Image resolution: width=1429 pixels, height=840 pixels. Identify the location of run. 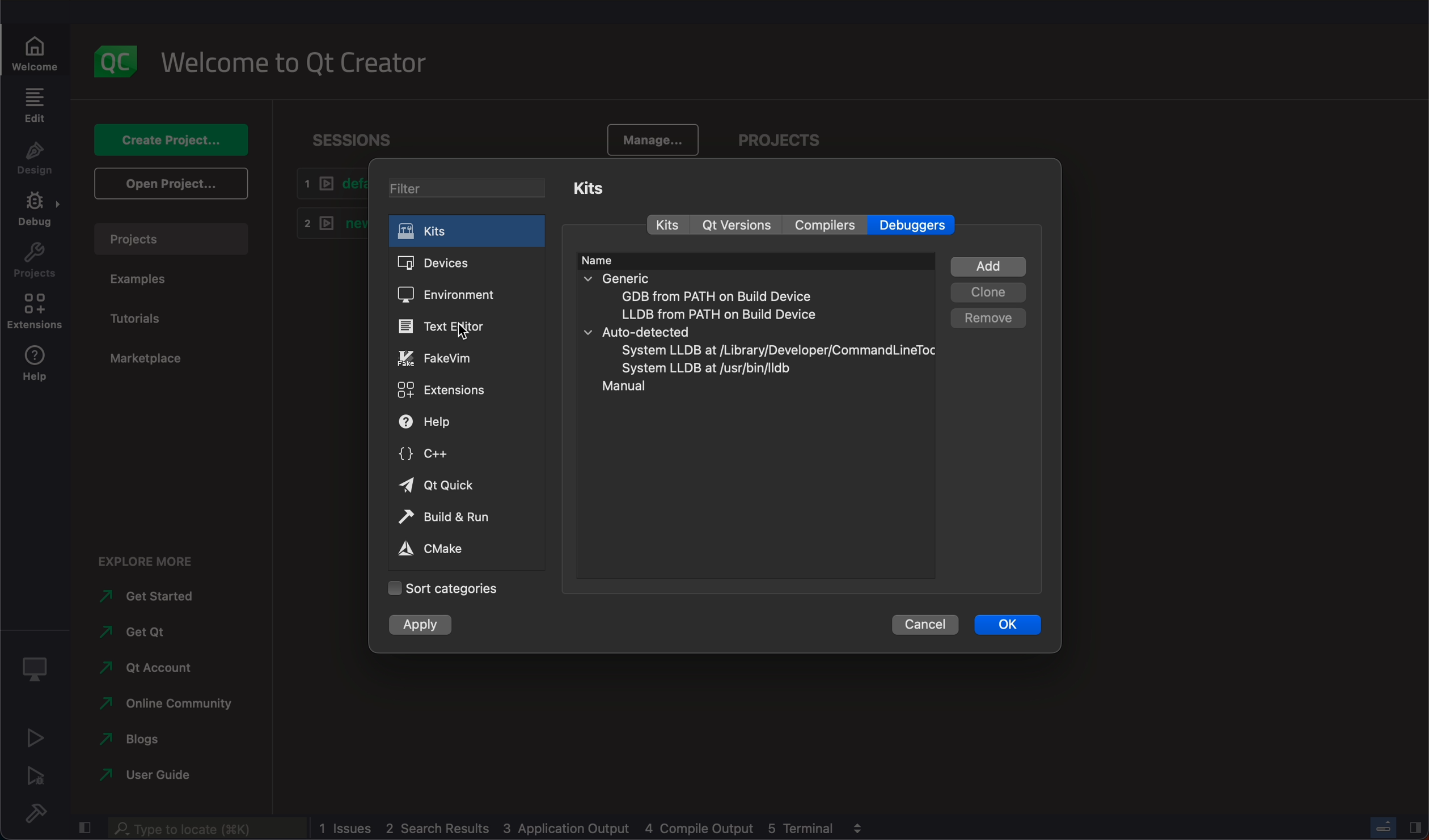
(32, 740).